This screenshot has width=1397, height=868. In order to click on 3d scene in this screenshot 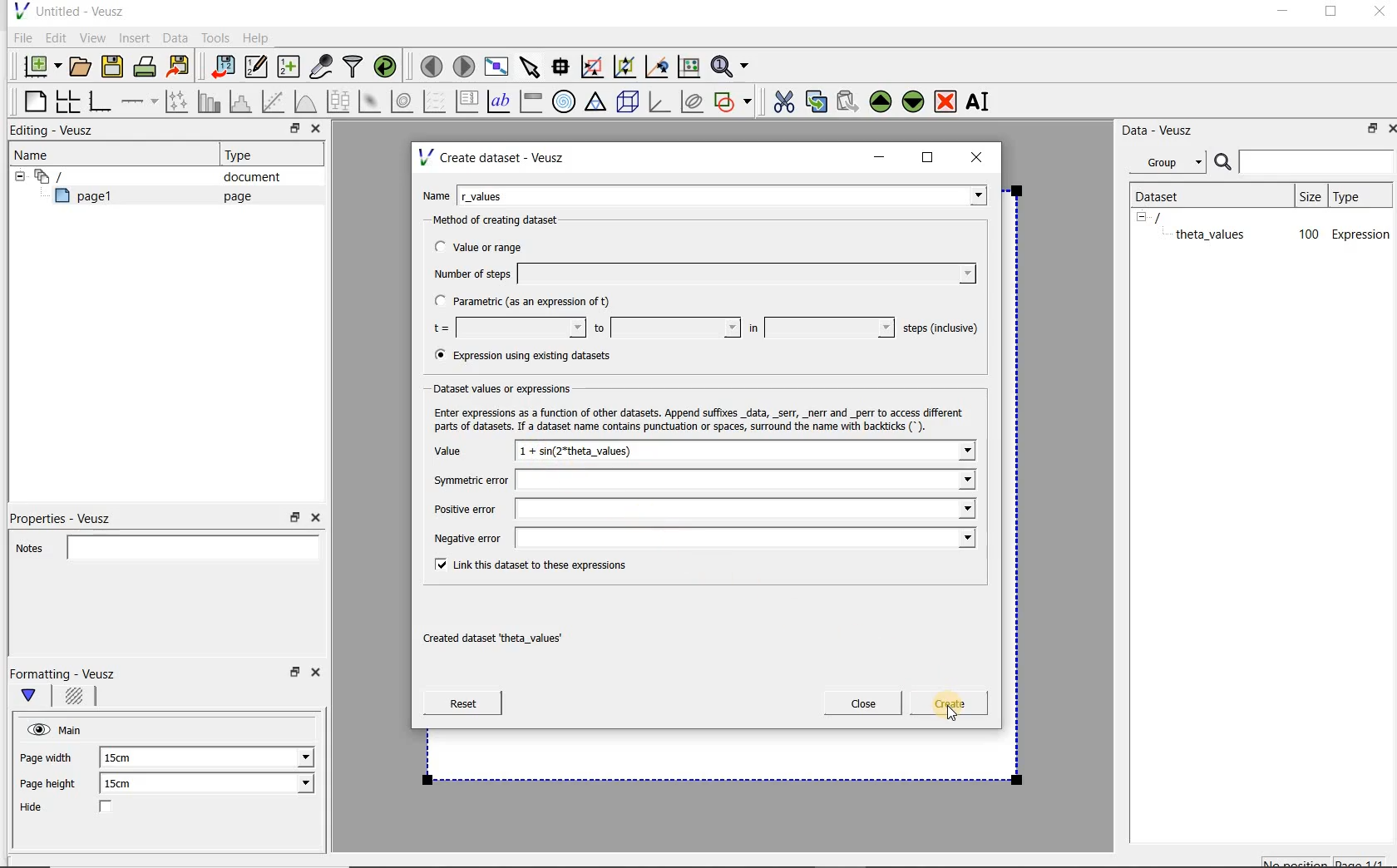, I will do `click(629, 103)`.